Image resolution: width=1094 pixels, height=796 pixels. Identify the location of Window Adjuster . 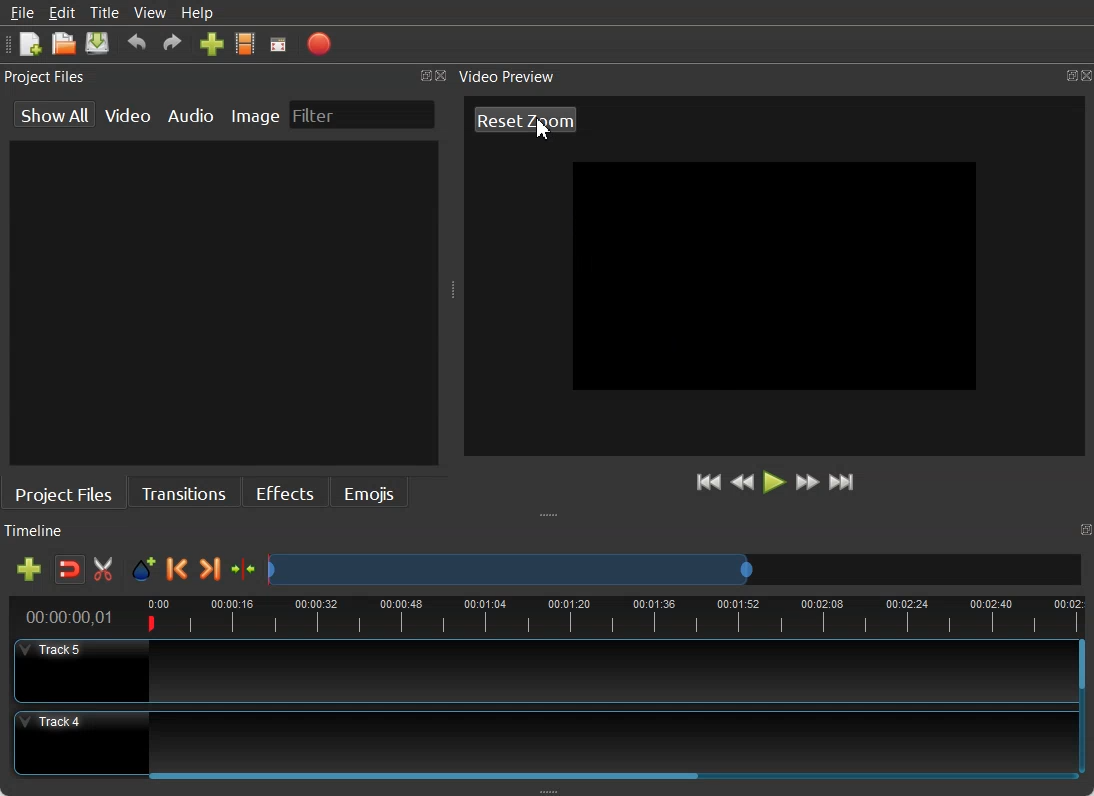
(453, 290).